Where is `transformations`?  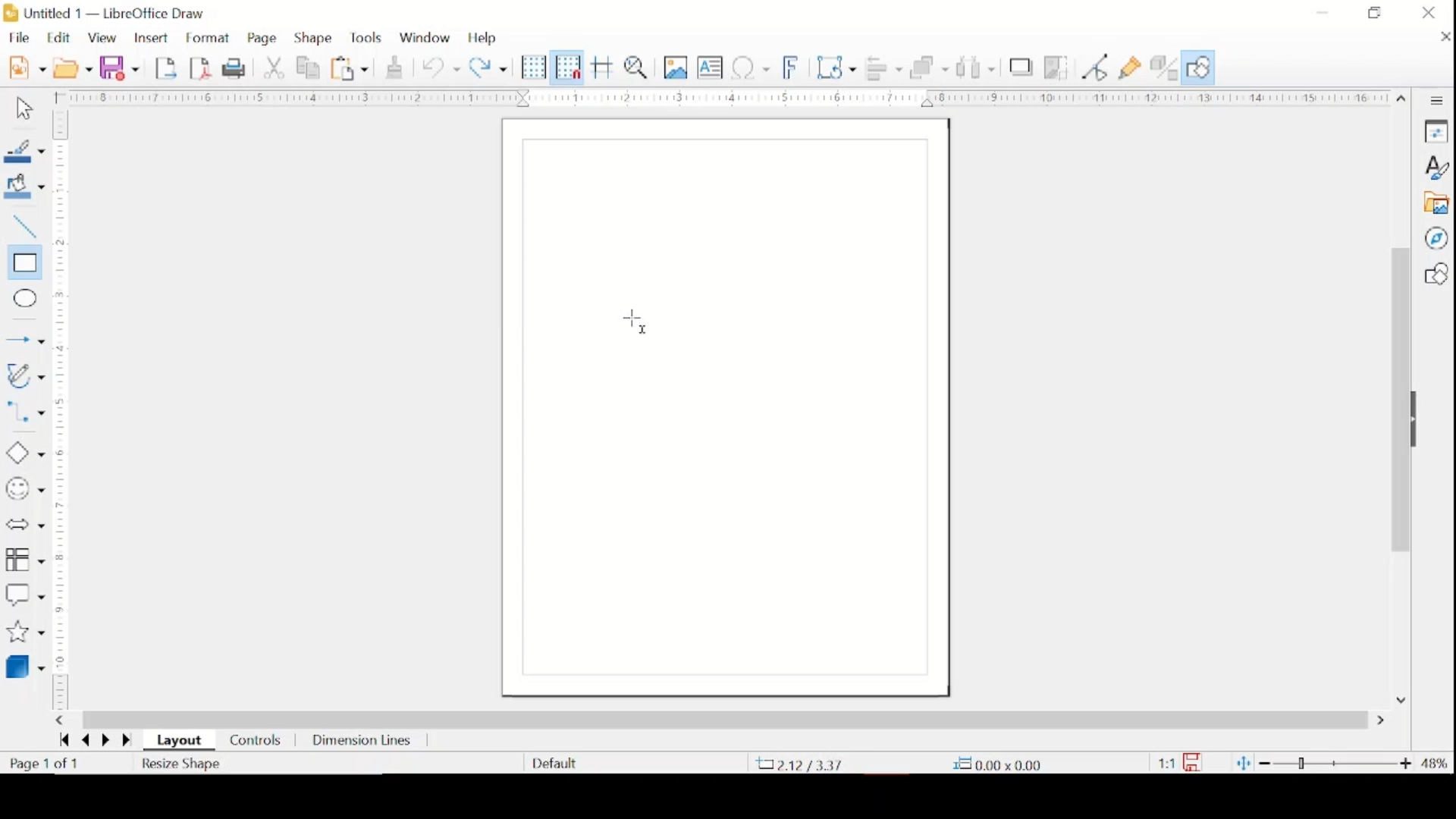 transformations is located at coordinates (838, 67).